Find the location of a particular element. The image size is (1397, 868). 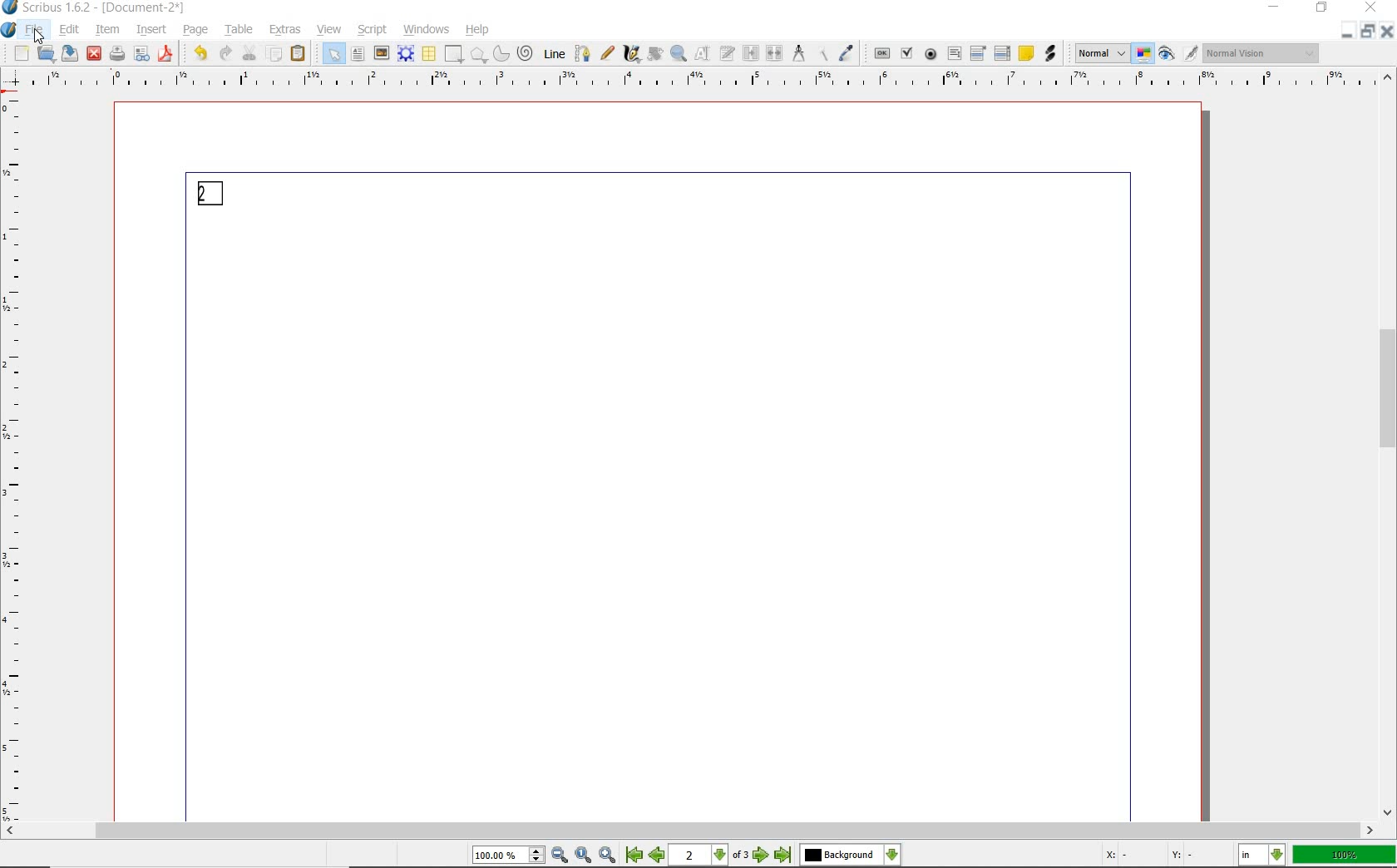

edit text with story editor is located at coordinates (728, 53).